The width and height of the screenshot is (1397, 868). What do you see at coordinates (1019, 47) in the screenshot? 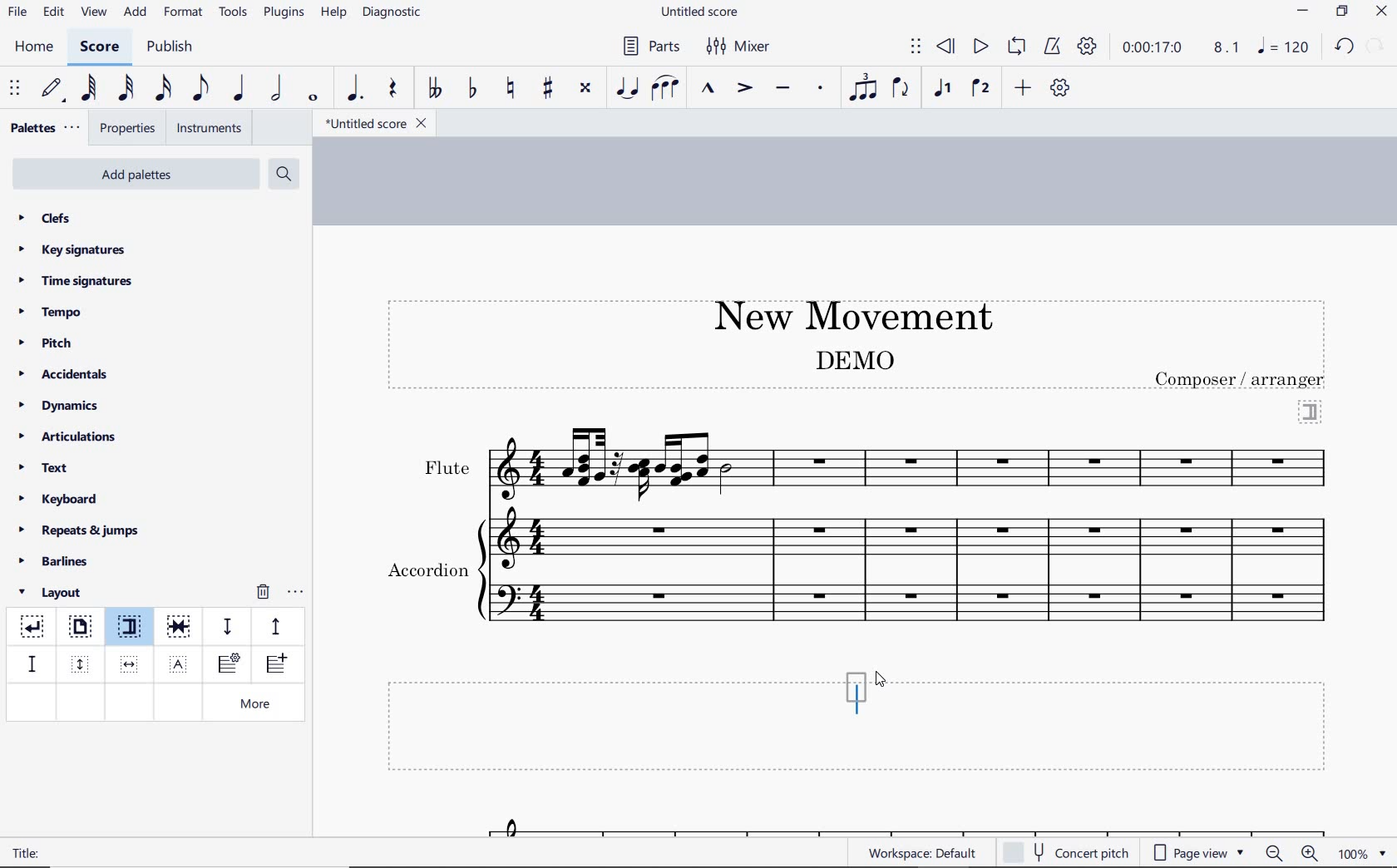
I see `loop playback` at bounding box center [1019, 47].